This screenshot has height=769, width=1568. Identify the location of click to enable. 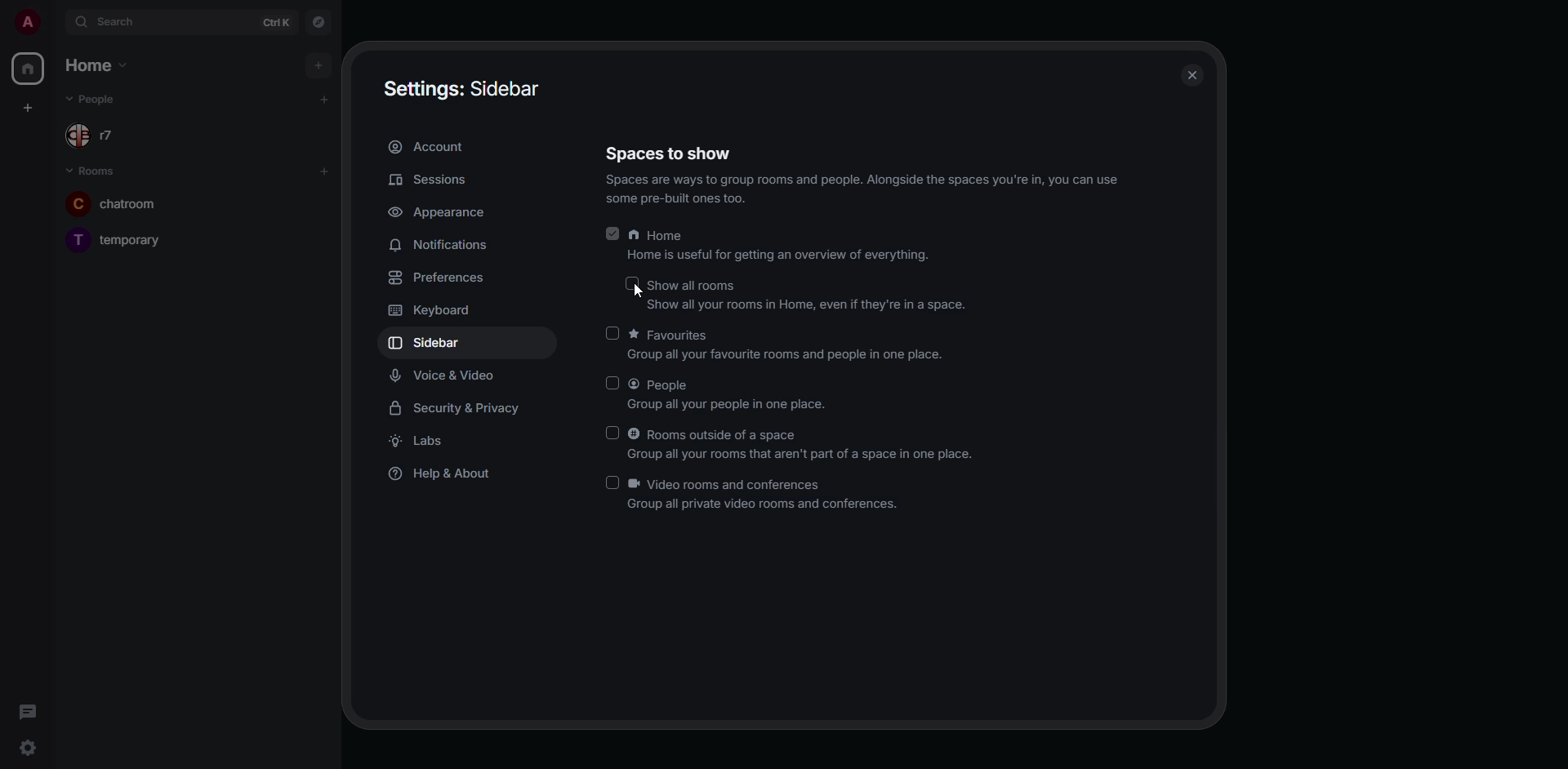
(611, 382).